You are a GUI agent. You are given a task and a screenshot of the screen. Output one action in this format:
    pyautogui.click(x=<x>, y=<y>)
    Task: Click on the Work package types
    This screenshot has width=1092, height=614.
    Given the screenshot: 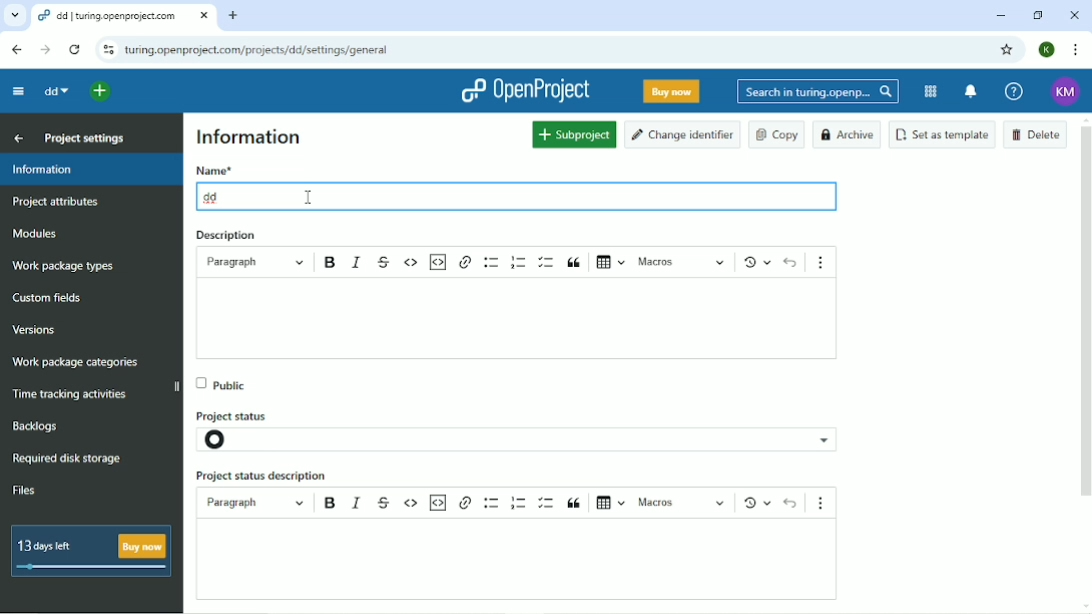 What is the action you would take?
    pyautogui.click(x=64, y=266)
    